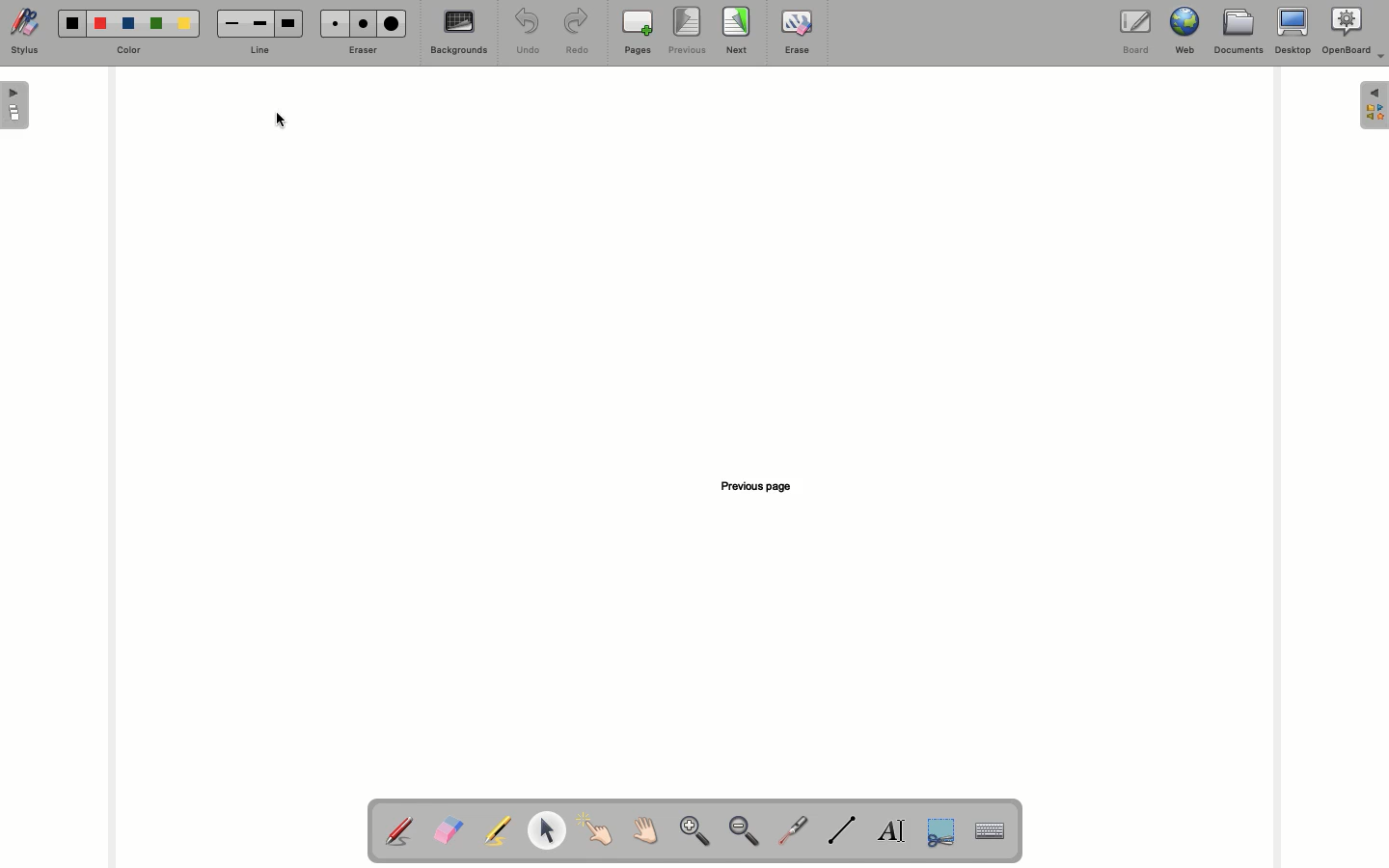 Image resolution: width=1389 pixels, height=868 pixels. Describe the element at coordinates (391, 23) in the screenshot. I see `Large eraser` at that location.